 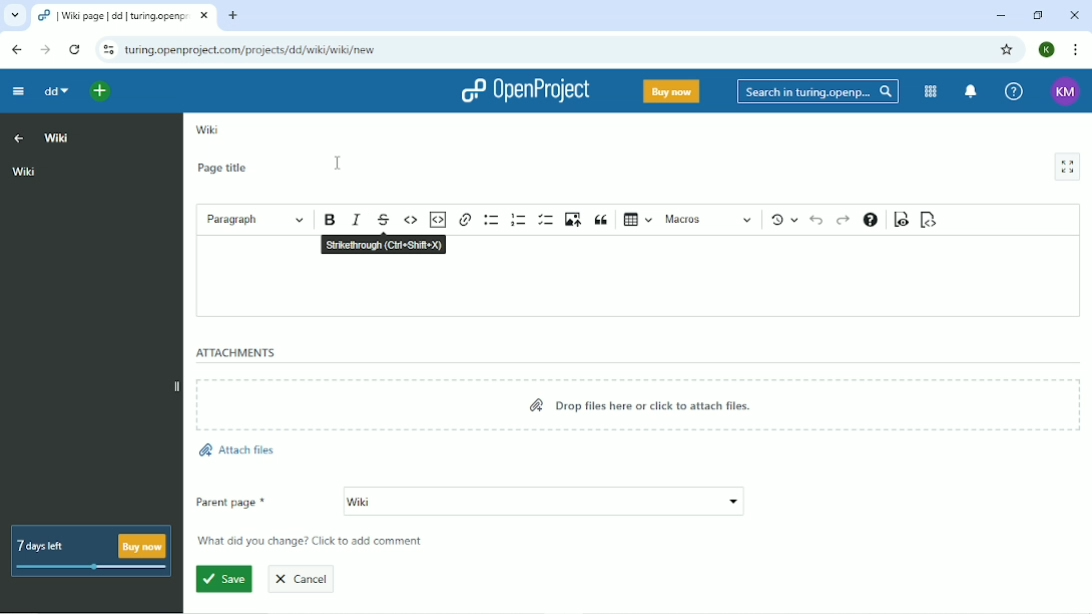 What do you see at coordinates (1074, 50) in the screenshot?
I see `Customize and control google chrome` at bounding box center [1074, 50].